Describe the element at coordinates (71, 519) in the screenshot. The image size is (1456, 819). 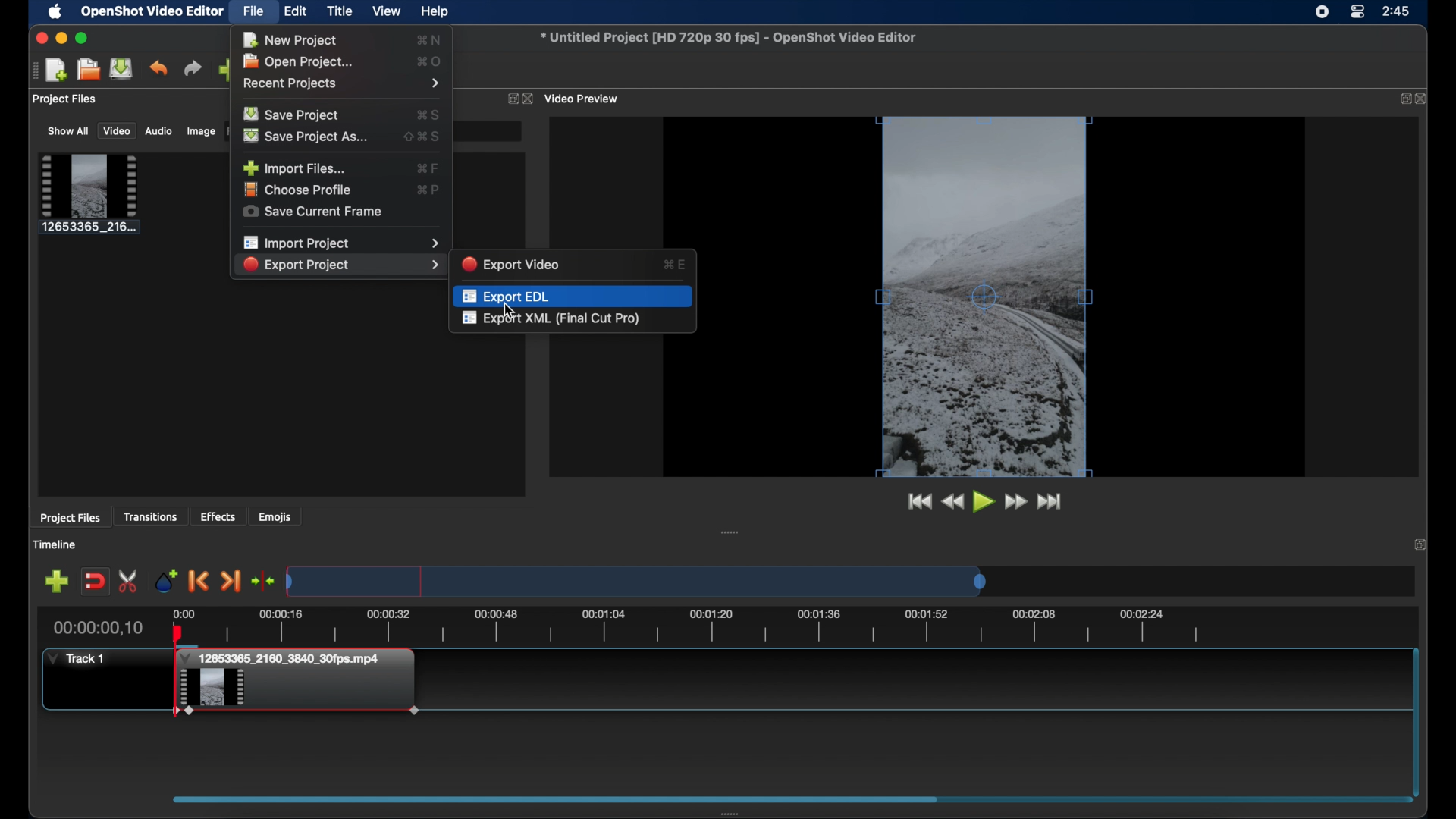
I see `project files` at that location.